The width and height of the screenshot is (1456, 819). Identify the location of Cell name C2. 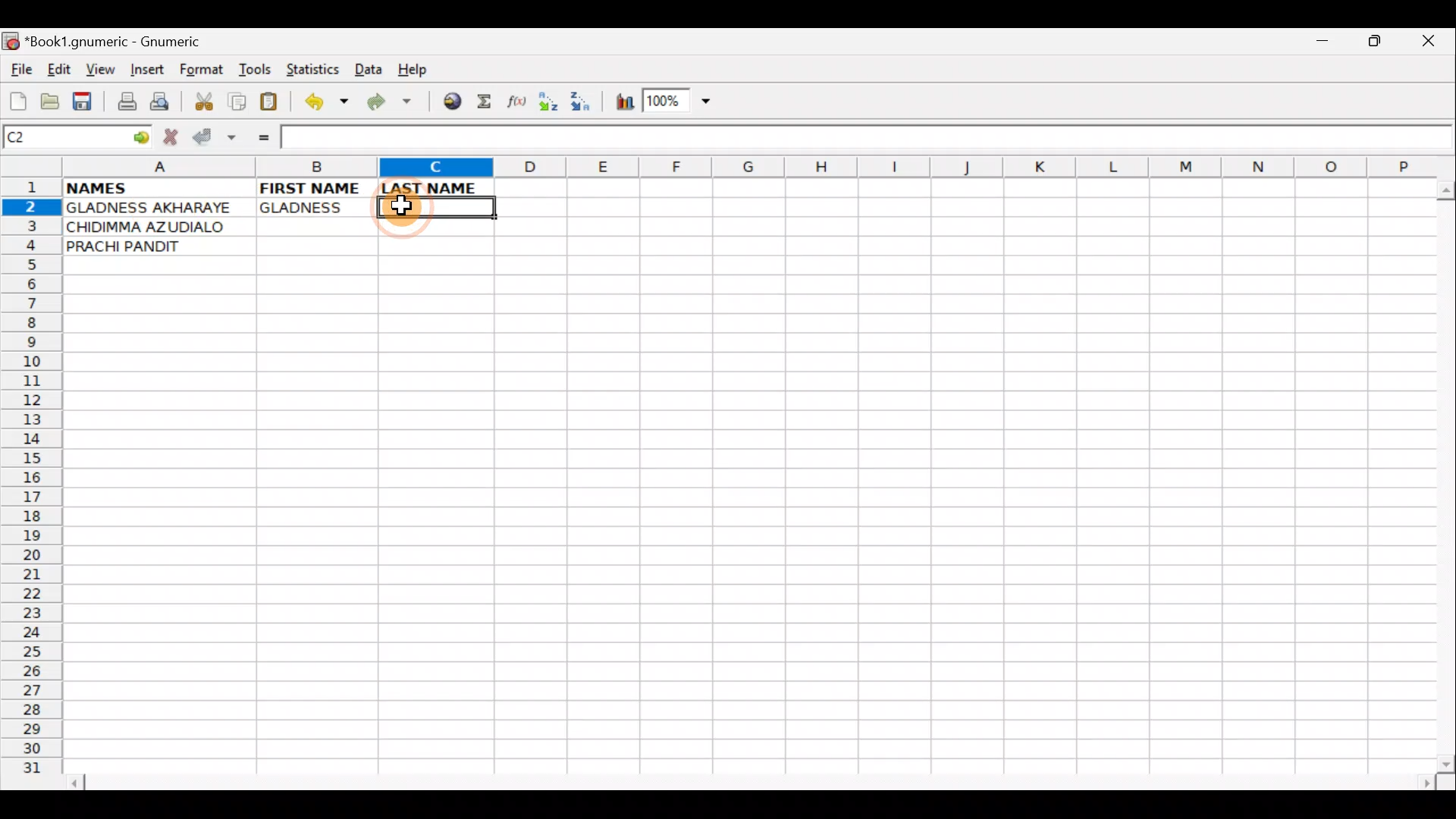
(61, 138).